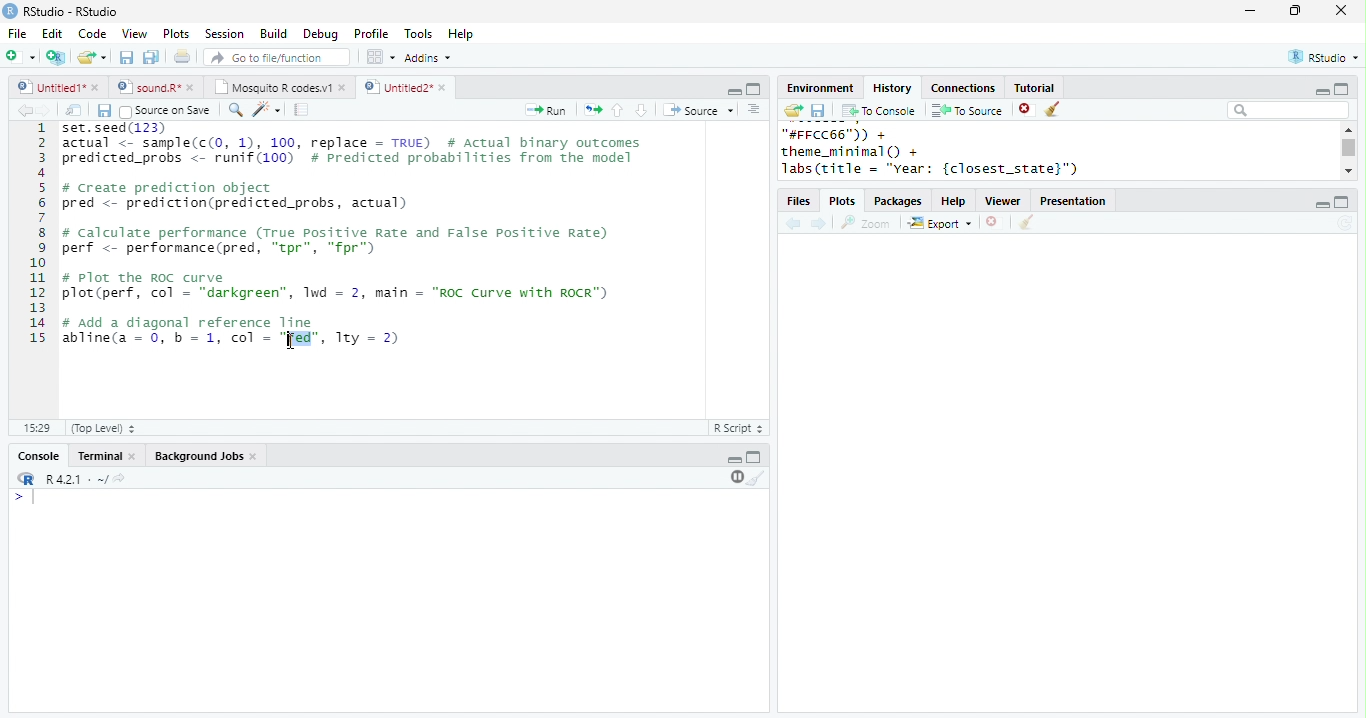  What do you see at coordinates (1348, 170) in the screenshot?
I see `scroll down` at bounding box center [1348, 170].